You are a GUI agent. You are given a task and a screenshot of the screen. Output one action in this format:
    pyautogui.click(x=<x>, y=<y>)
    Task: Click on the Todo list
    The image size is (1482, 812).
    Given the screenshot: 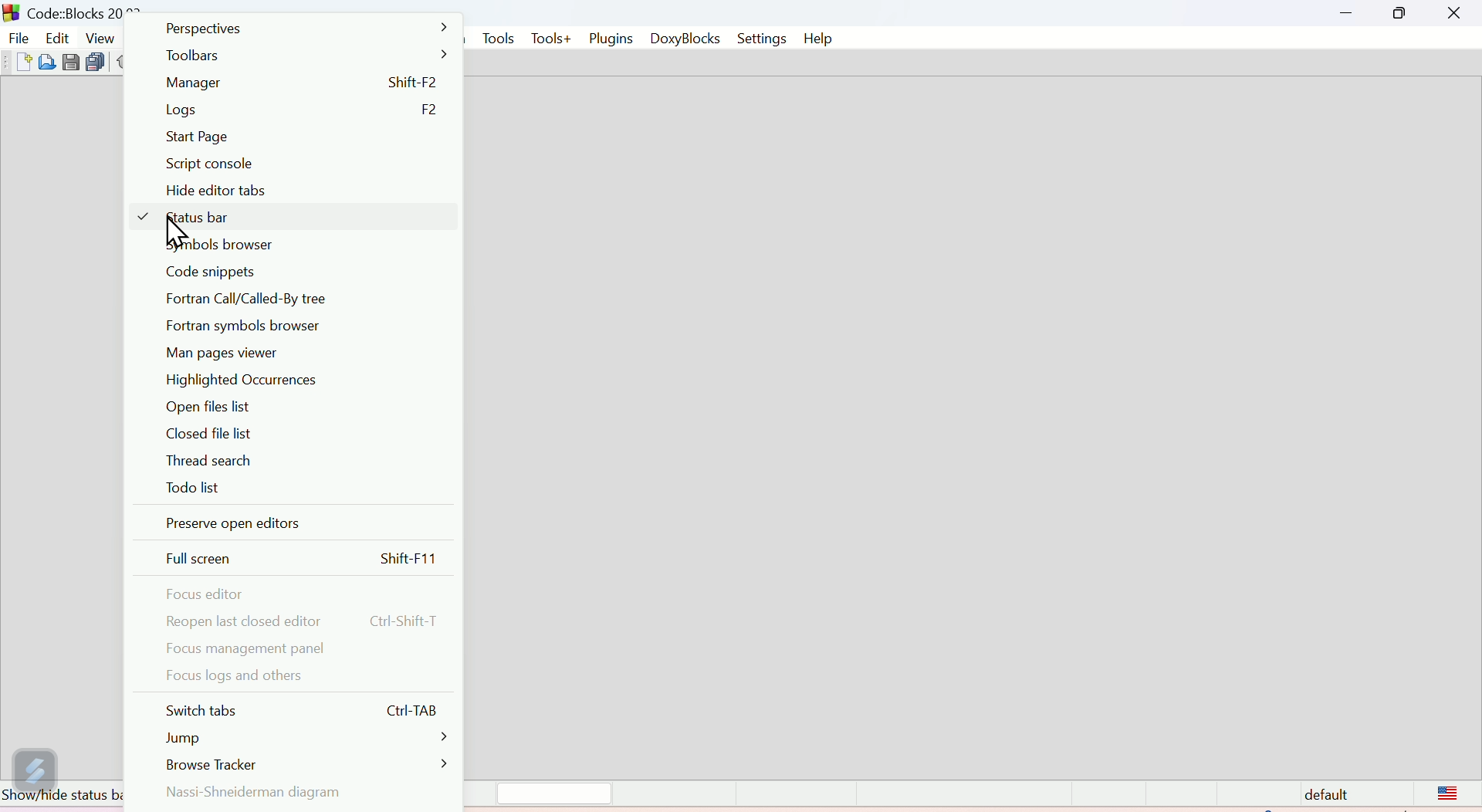 What is the action you would take?
    pyautogui.click(x=192, y=486)
    